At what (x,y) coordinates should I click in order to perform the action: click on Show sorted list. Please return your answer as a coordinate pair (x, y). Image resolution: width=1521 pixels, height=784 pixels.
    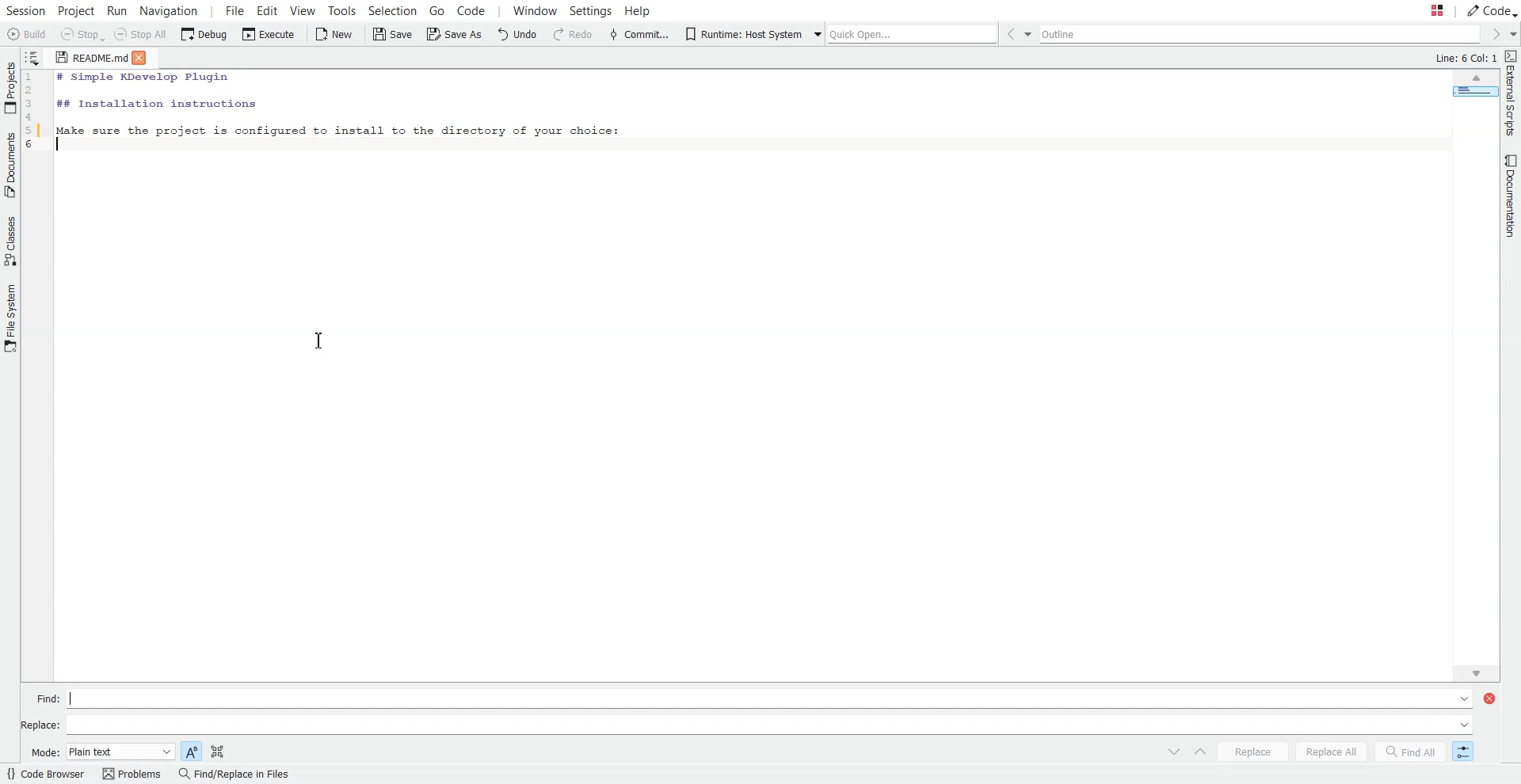
    Looking at the image, I should click on (33, 56).